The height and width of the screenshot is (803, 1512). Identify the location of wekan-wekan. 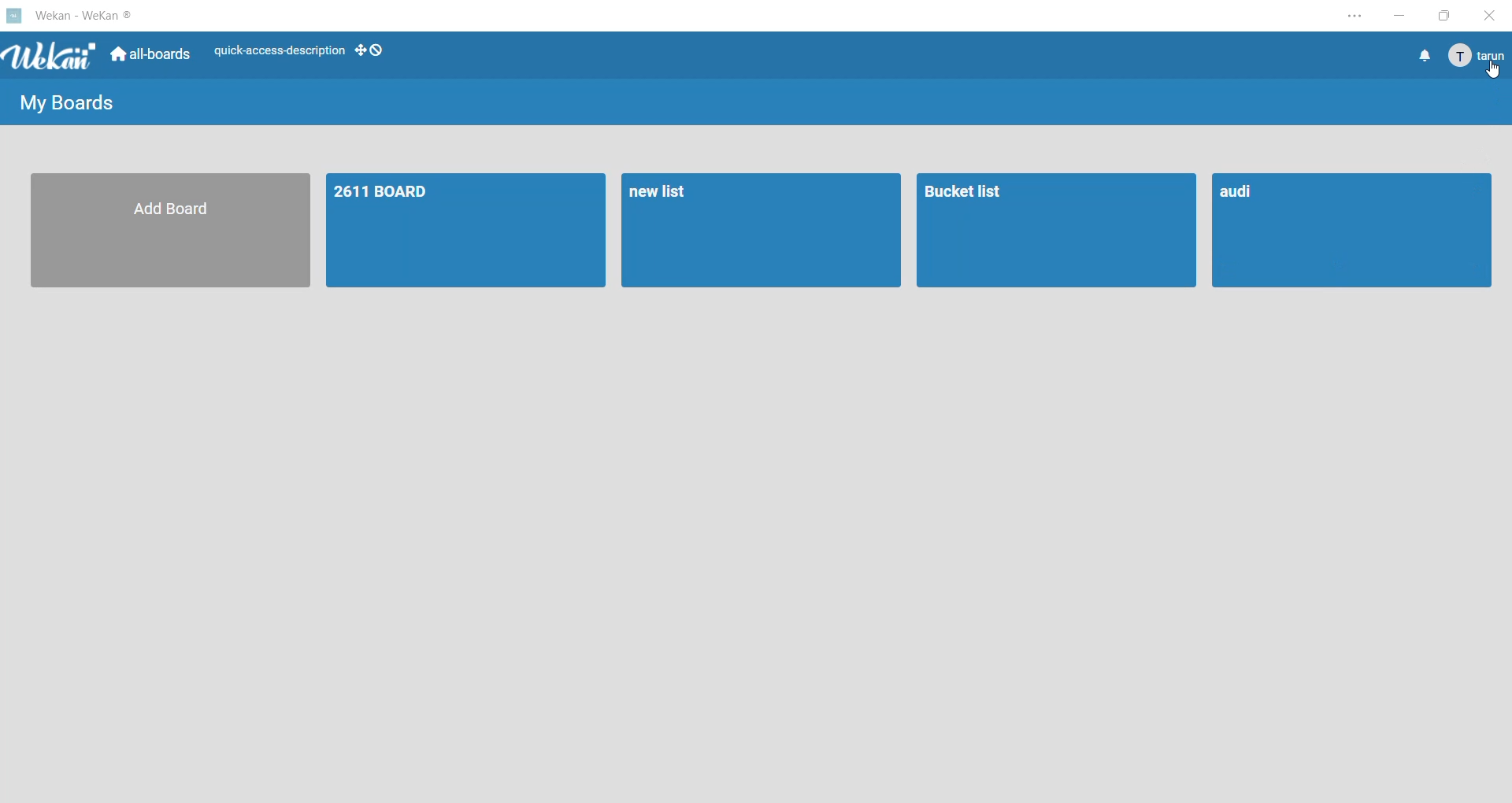
(89, 13).